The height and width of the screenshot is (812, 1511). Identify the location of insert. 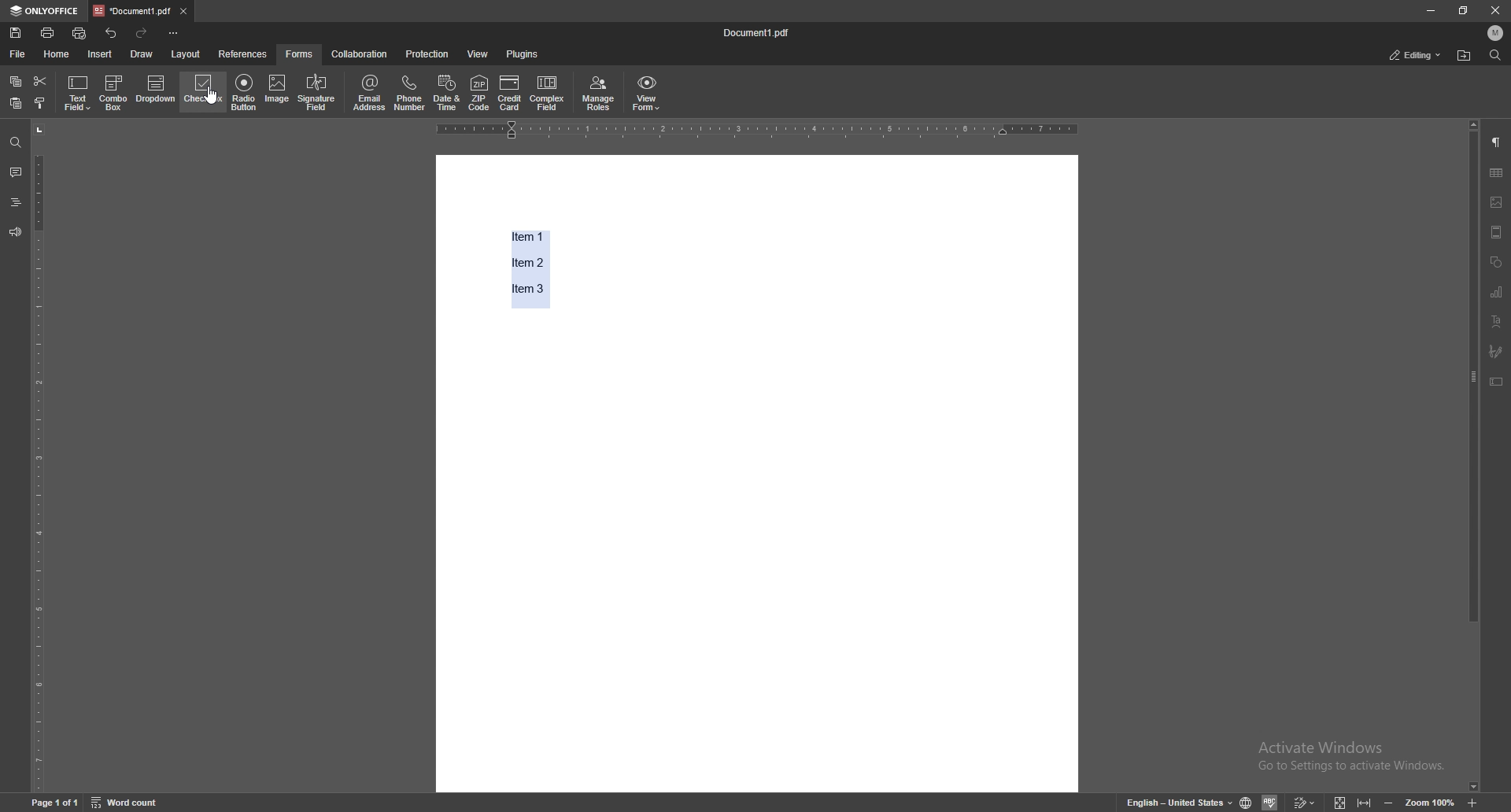
(101, 54).